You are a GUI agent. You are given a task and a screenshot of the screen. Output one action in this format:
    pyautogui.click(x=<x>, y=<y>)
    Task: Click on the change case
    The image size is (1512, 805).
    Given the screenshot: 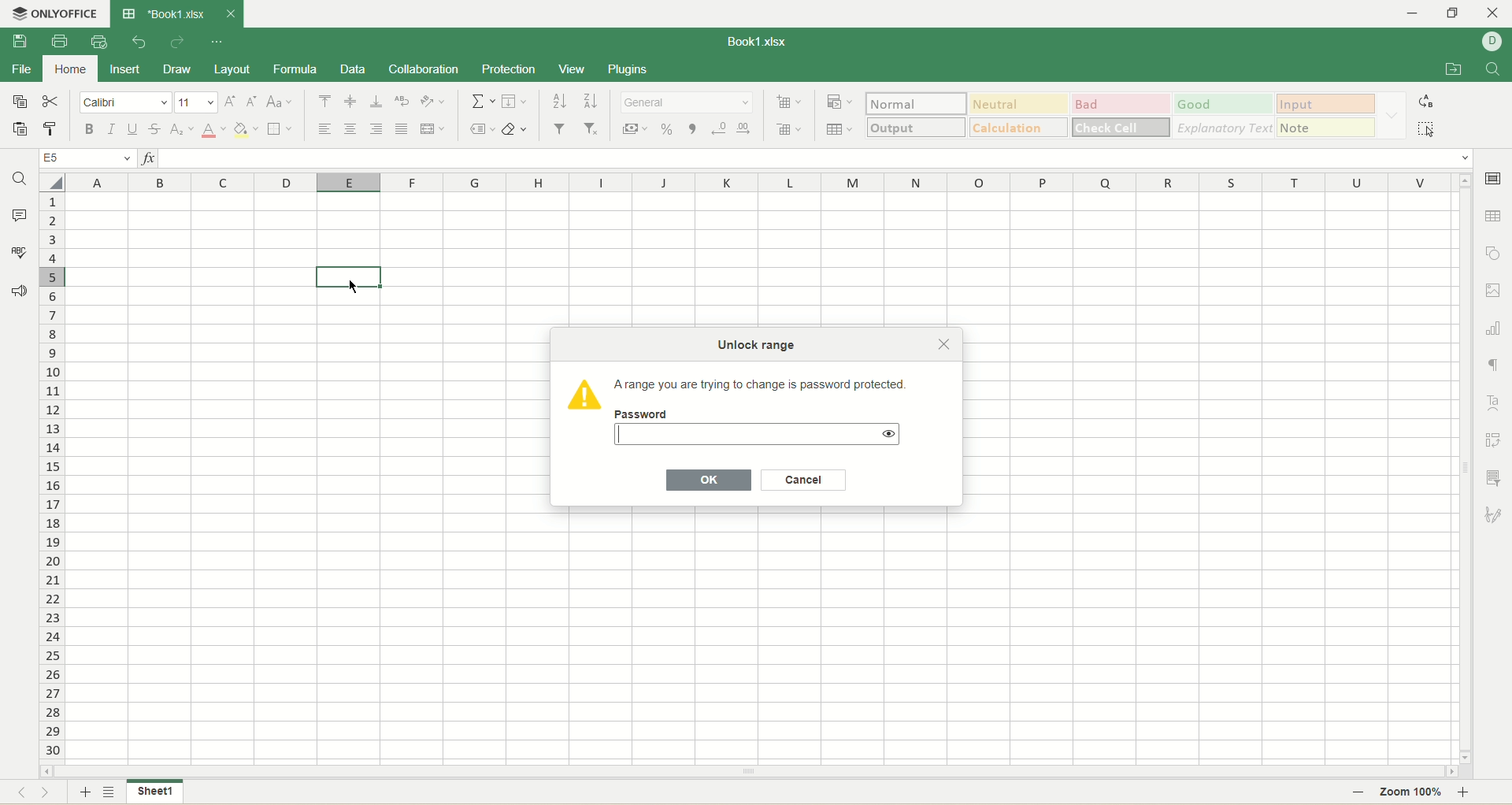 What is the action you would take?
    pyautogui.click(x=280, y=102)
    